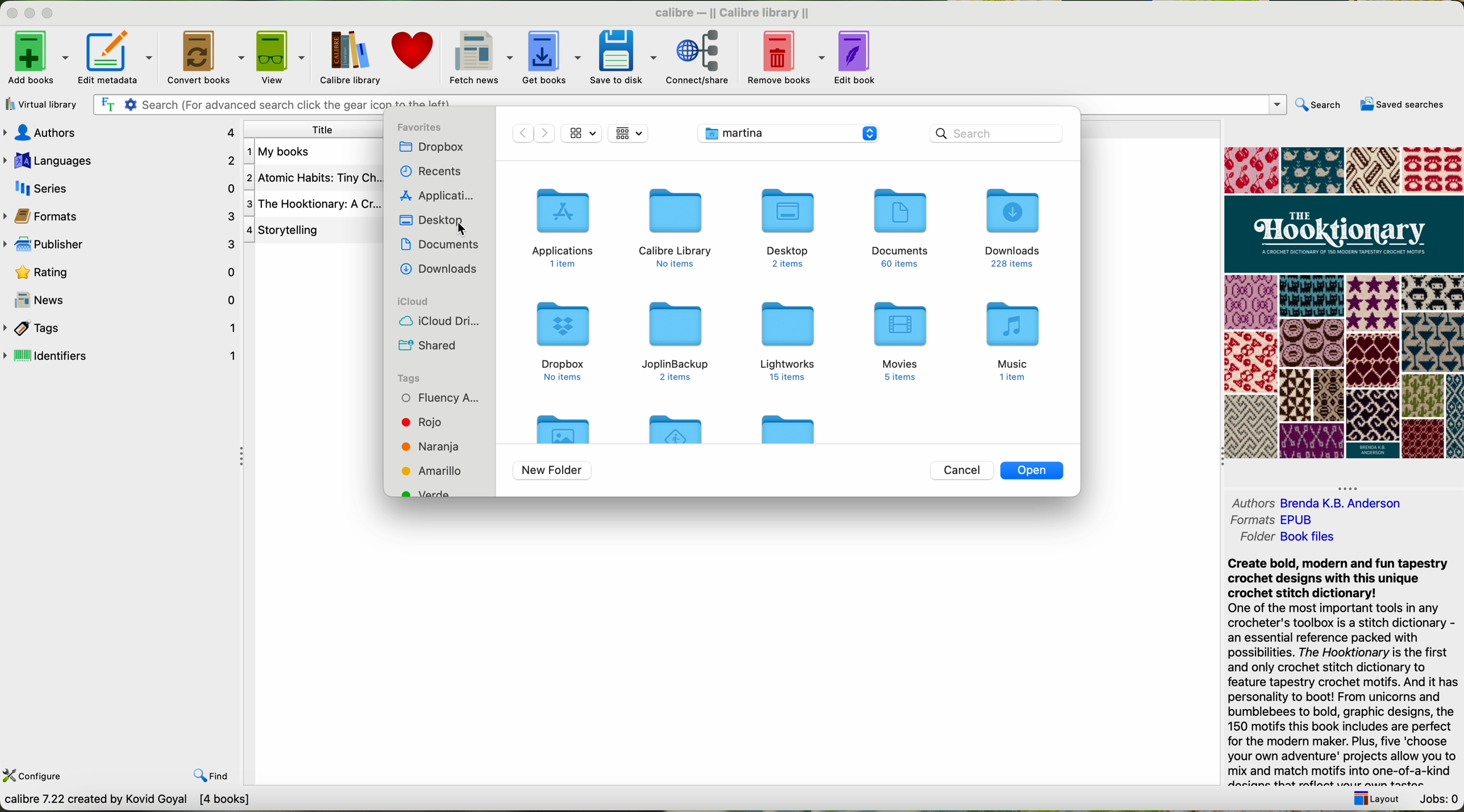  What do you see at coordinates (560, 338) in the screenshot?
I see `dropbox folder` at bounding box center [560, 338].